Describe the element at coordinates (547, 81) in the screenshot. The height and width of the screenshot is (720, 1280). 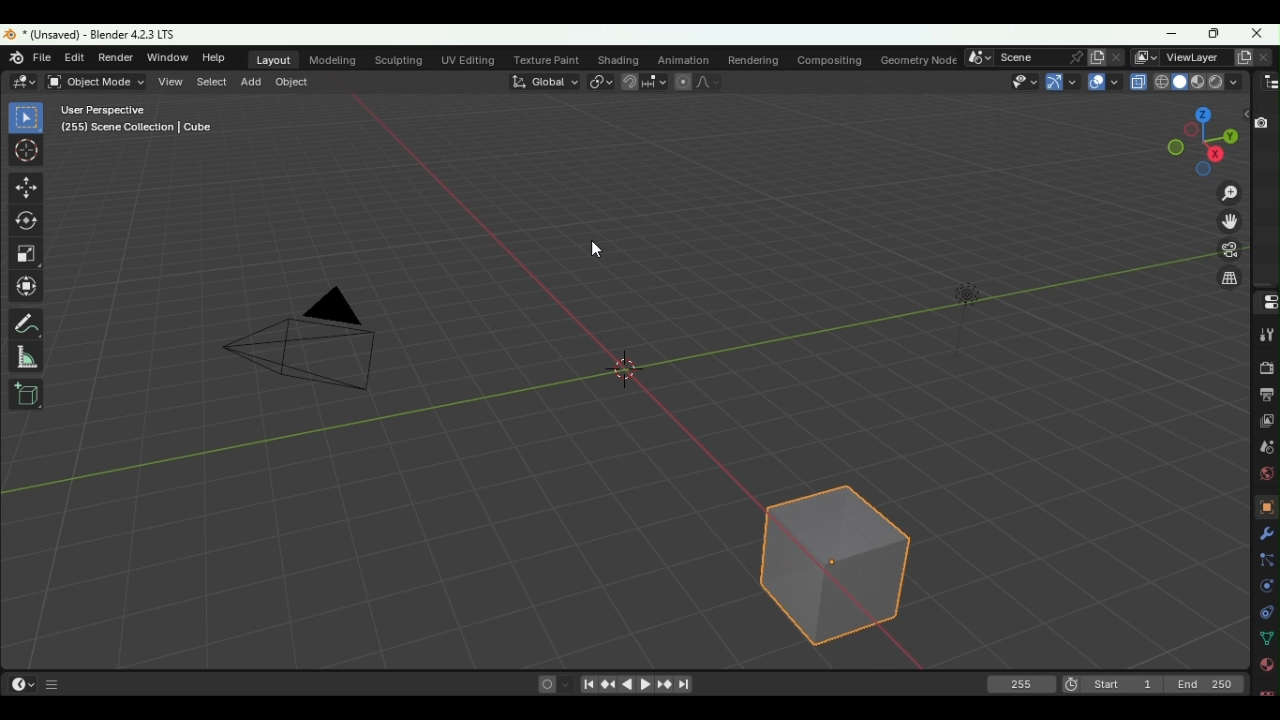
I see `Transformation orientation` at that location.